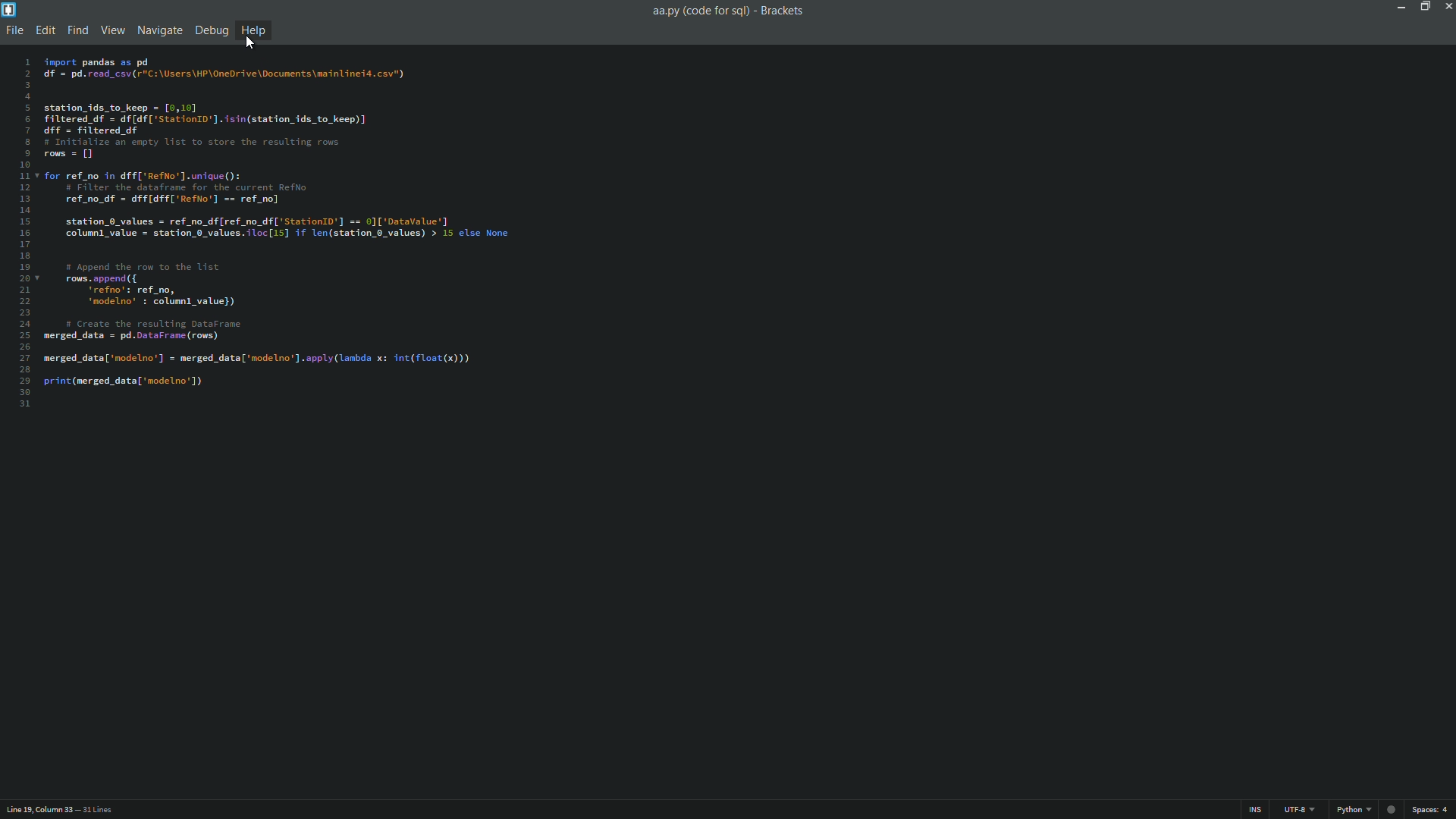 This screenshot has width=1456, height=819. Describe the element at coordinates (102, 807) in the screenshot. I see `31 lines` at that location.